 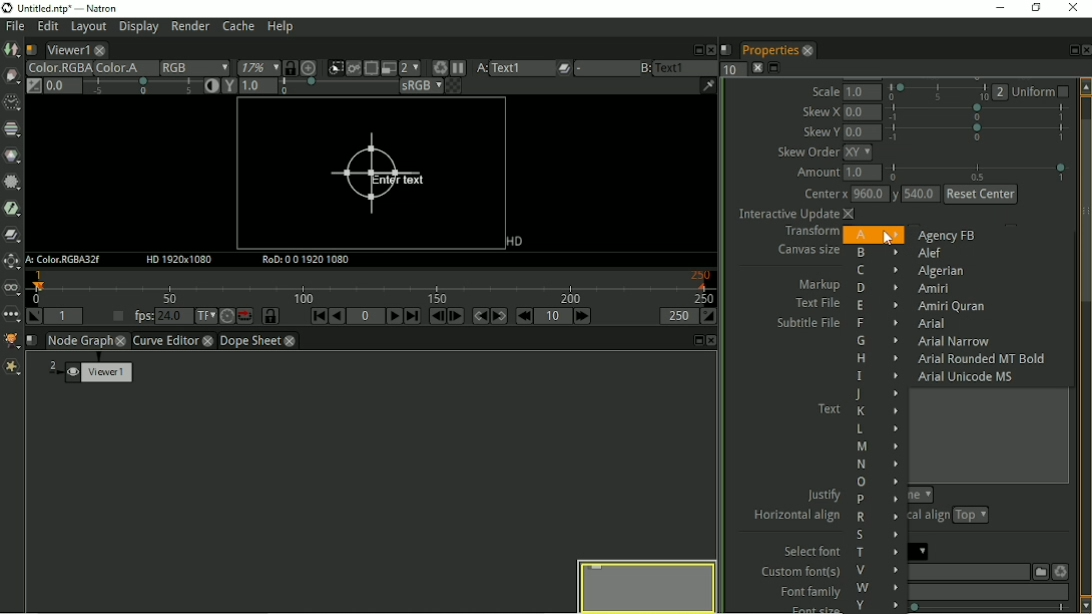 I want to click on Custom font(s), so click(x=798, y=572).